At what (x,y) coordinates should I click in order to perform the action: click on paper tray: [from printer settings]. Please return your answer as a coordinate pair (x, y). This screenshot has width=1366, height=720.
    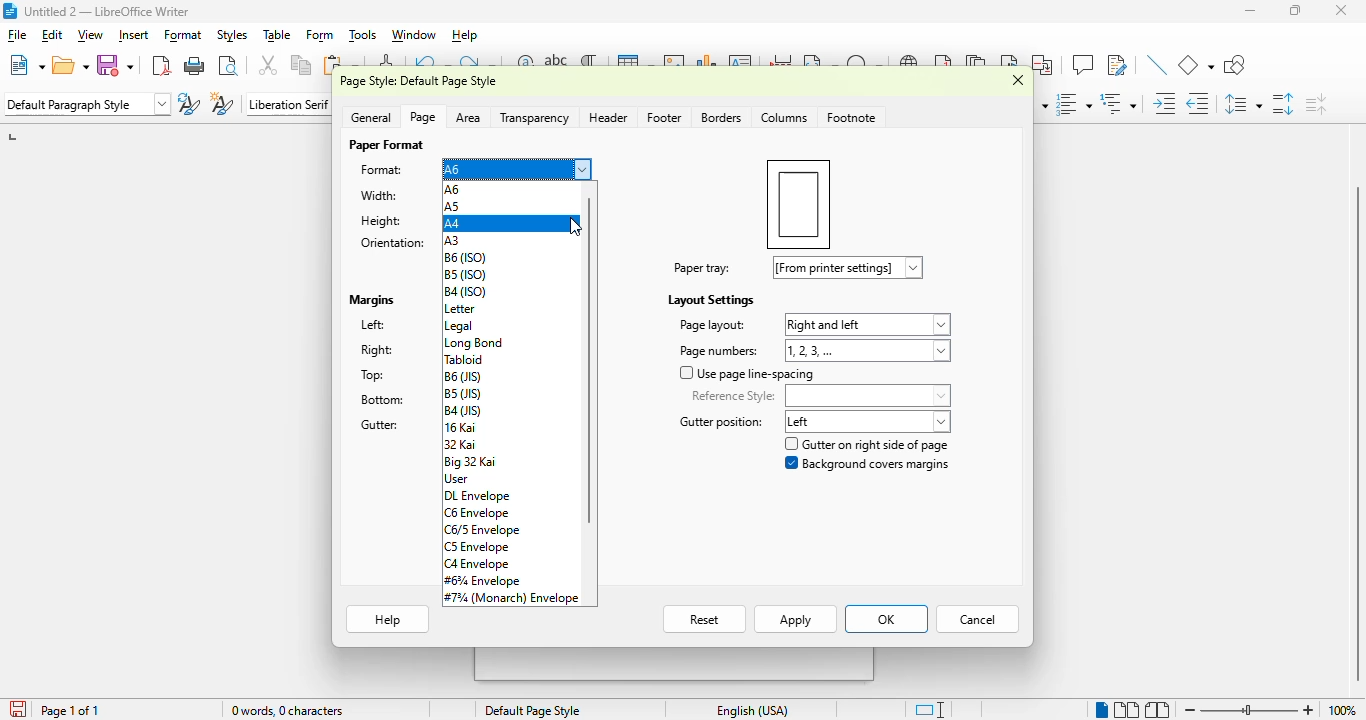
    Looking at the image, I should click on (792, 268).